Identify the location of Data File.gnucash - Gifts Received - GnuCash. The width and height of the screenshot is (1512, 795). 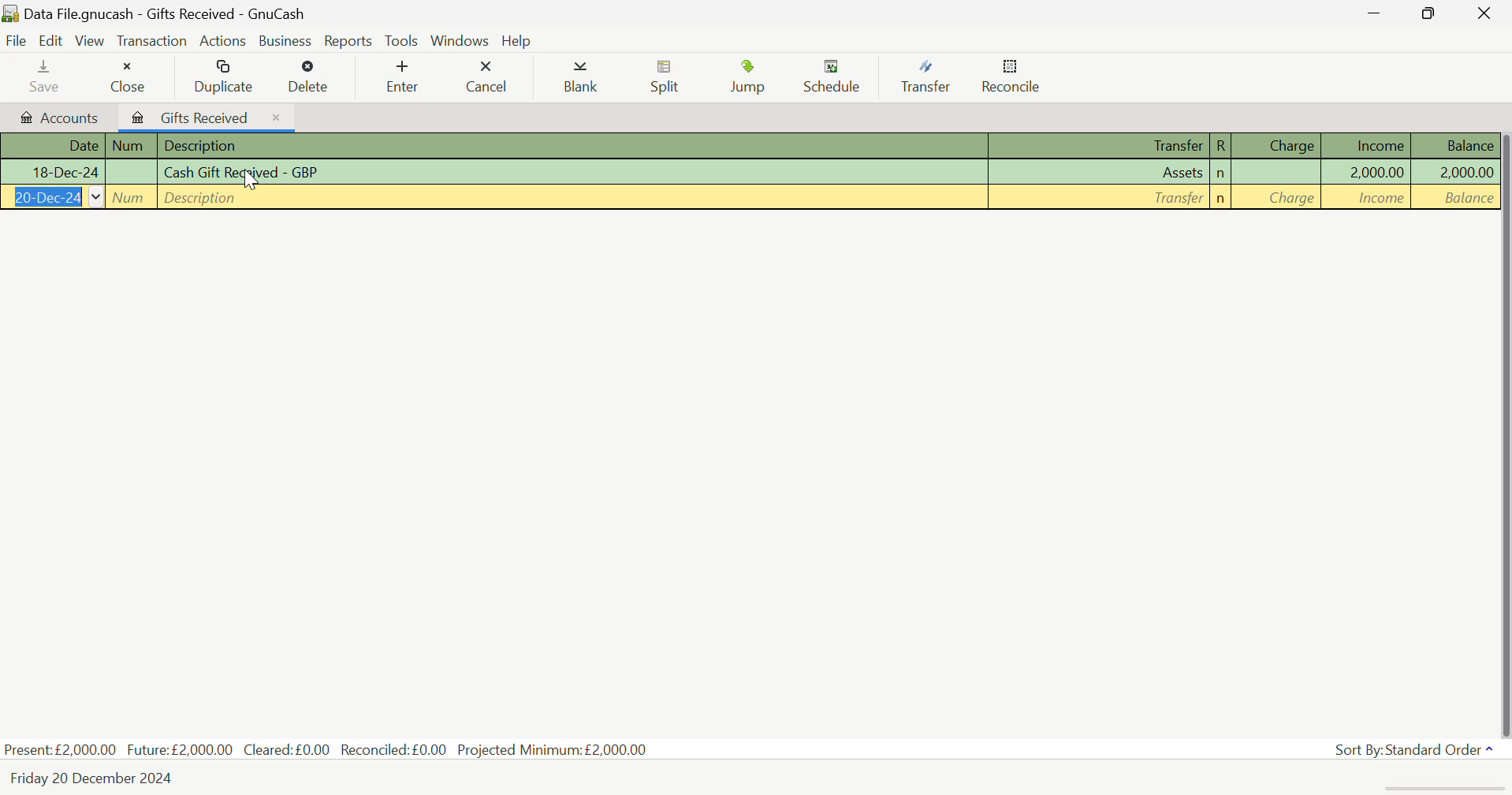
(191, 13).